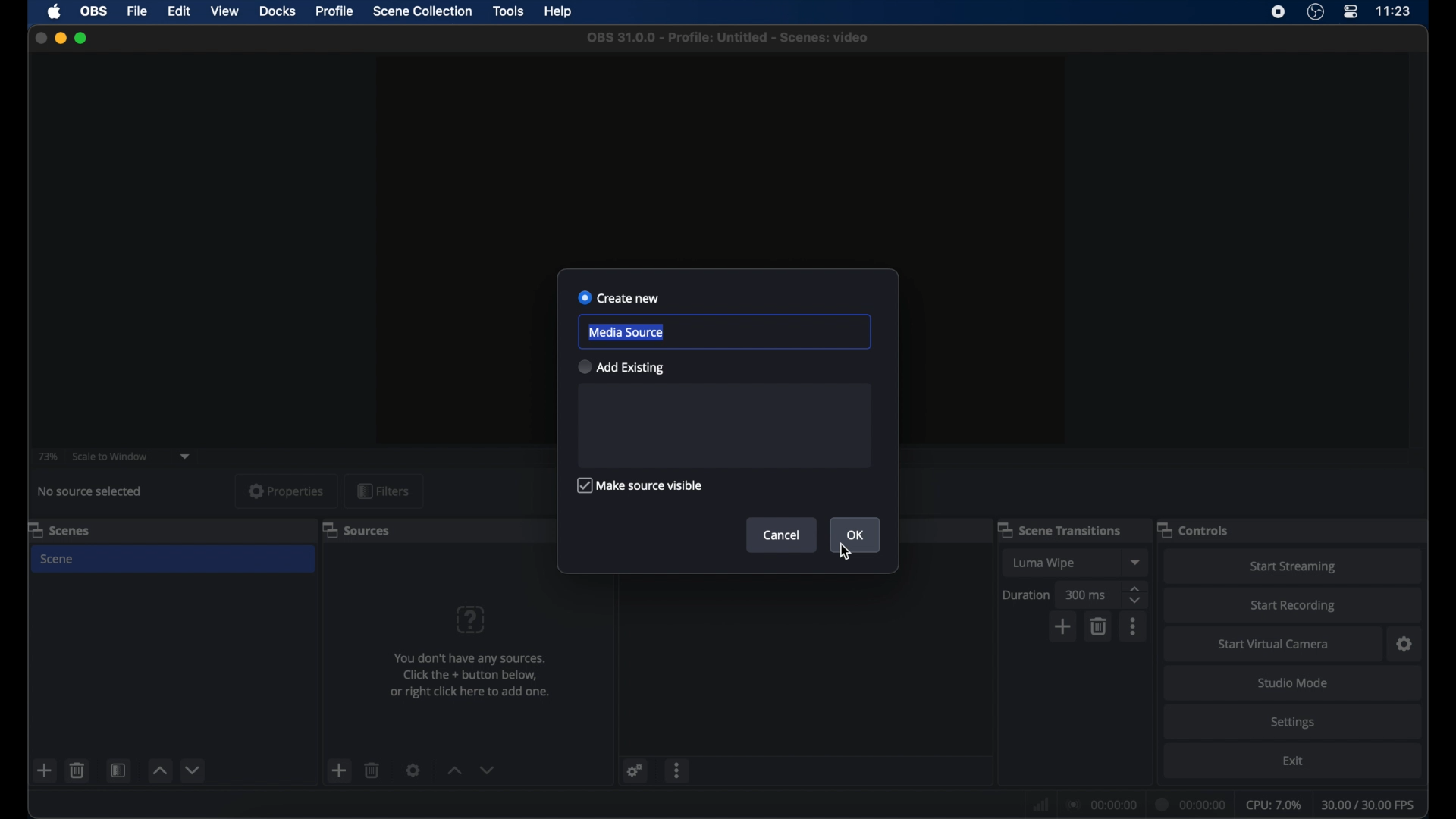 Image resolution: width=1456 pixels, height=819 pixels. I want to click on add, so click(44, 770).